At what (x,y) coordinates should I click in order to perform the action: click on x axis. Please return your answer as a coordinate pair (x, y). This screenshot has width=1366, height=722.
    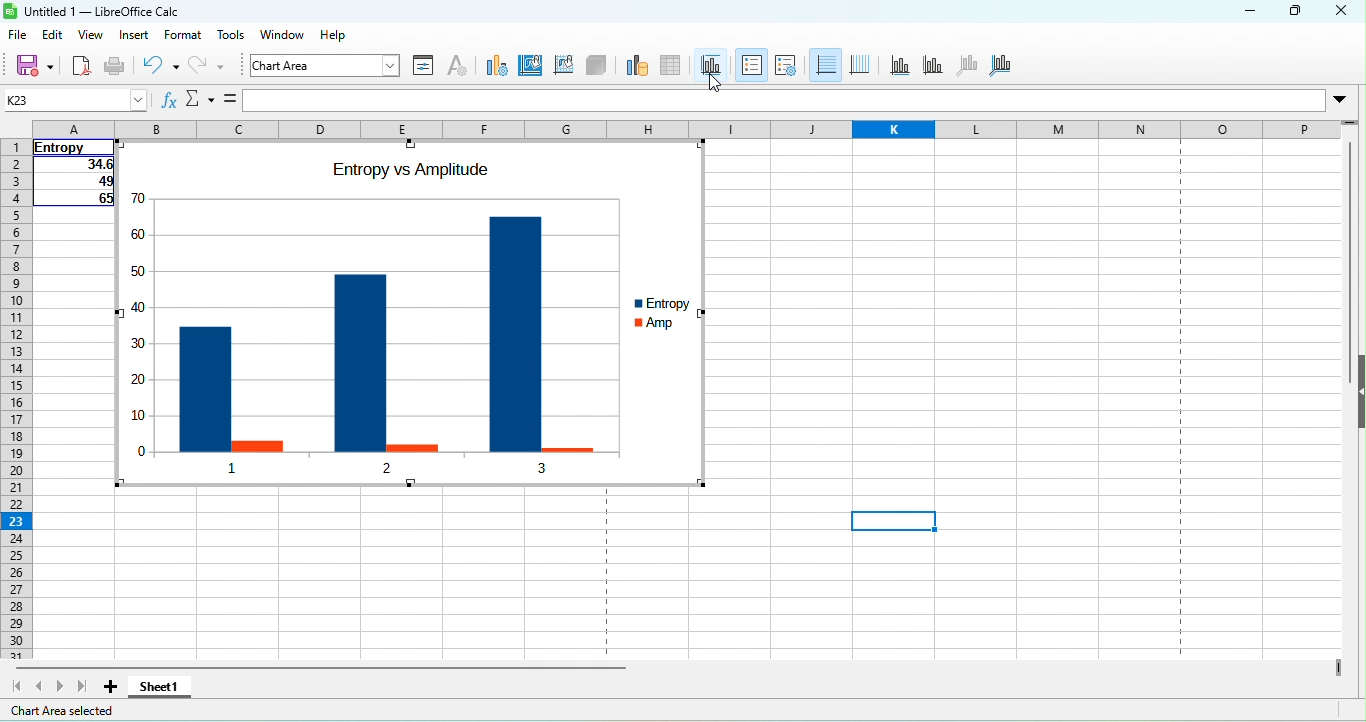
    Looking at the image, I should click on (899, 65).